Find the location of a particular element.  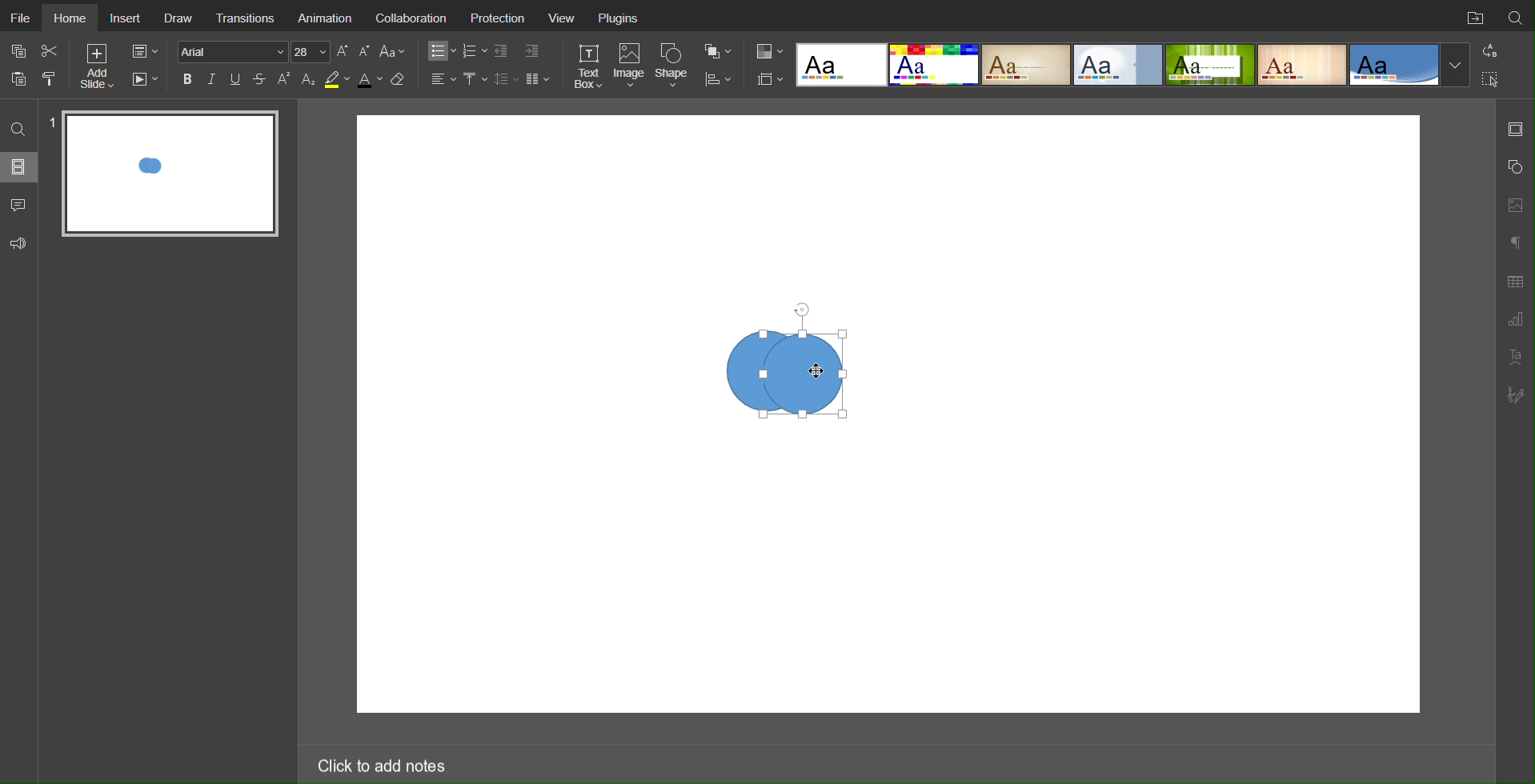

Font Case is located at coordinates (394, 51).